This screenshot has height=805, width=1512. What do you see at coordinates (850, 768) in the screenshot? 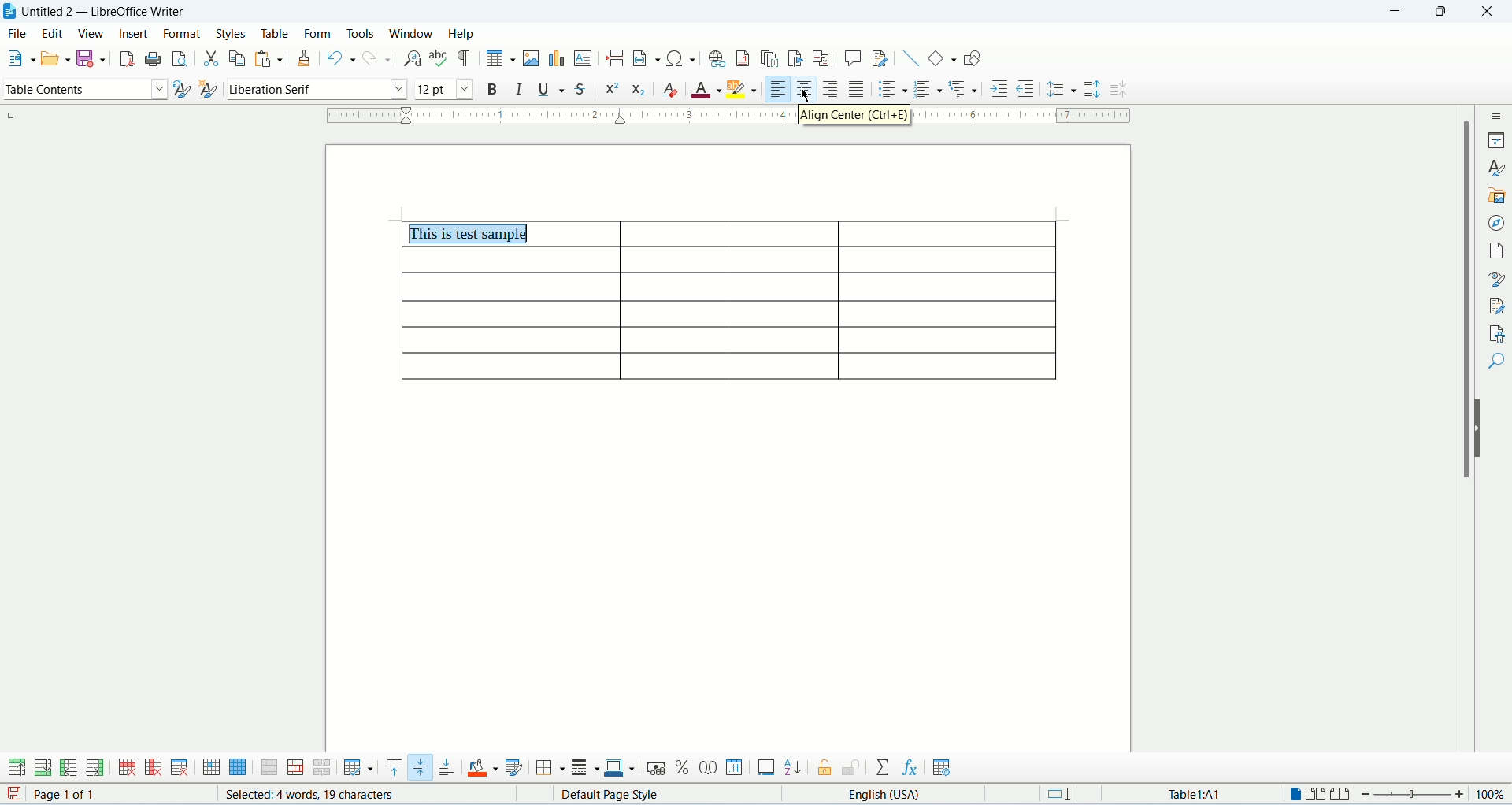
I see `unprotect cells` at bounding box center [850, 768].